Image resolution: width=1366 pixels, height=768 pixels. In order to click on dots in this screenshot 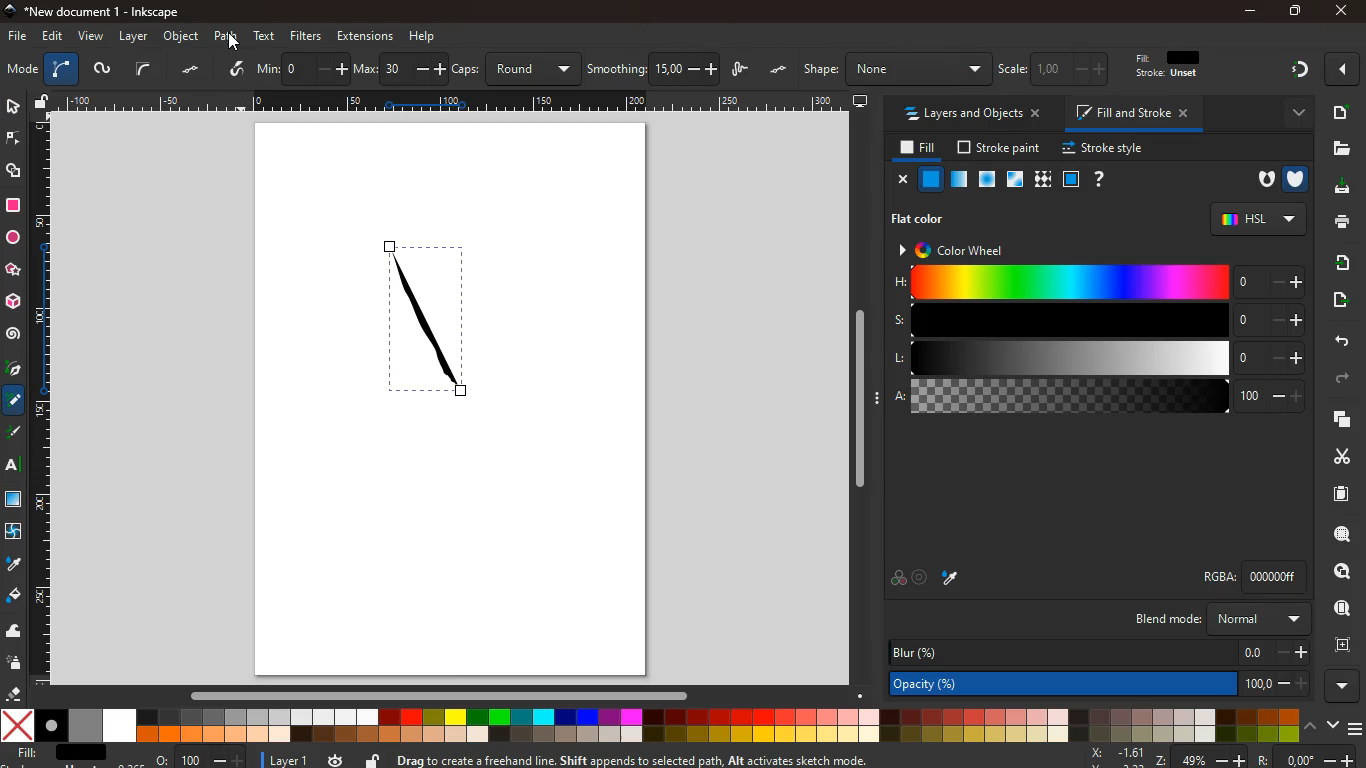, I will do `click(193, 70)`.